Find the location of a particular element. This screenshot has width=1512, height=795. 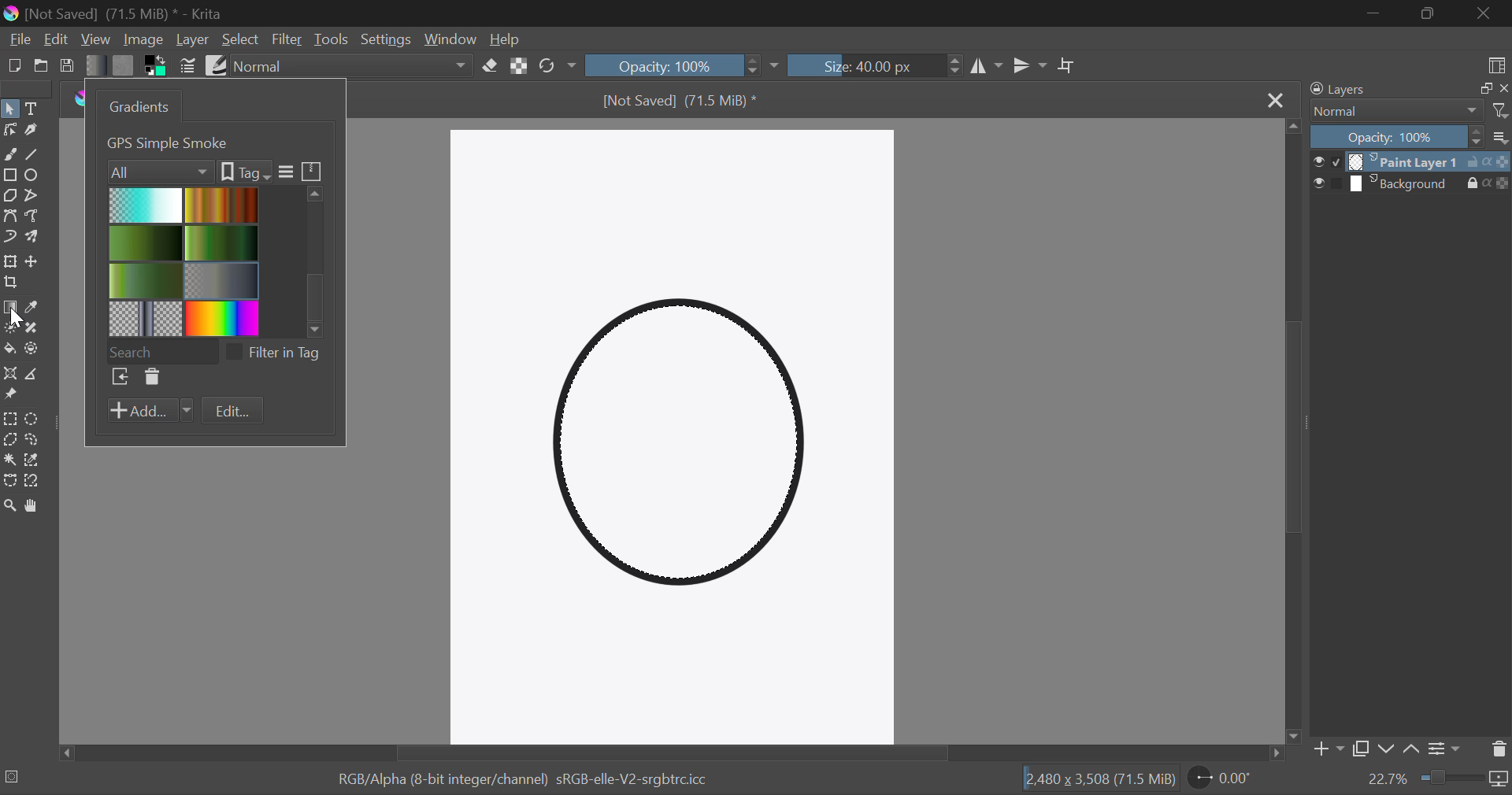

Pattern is located at coordinates (146, 317).